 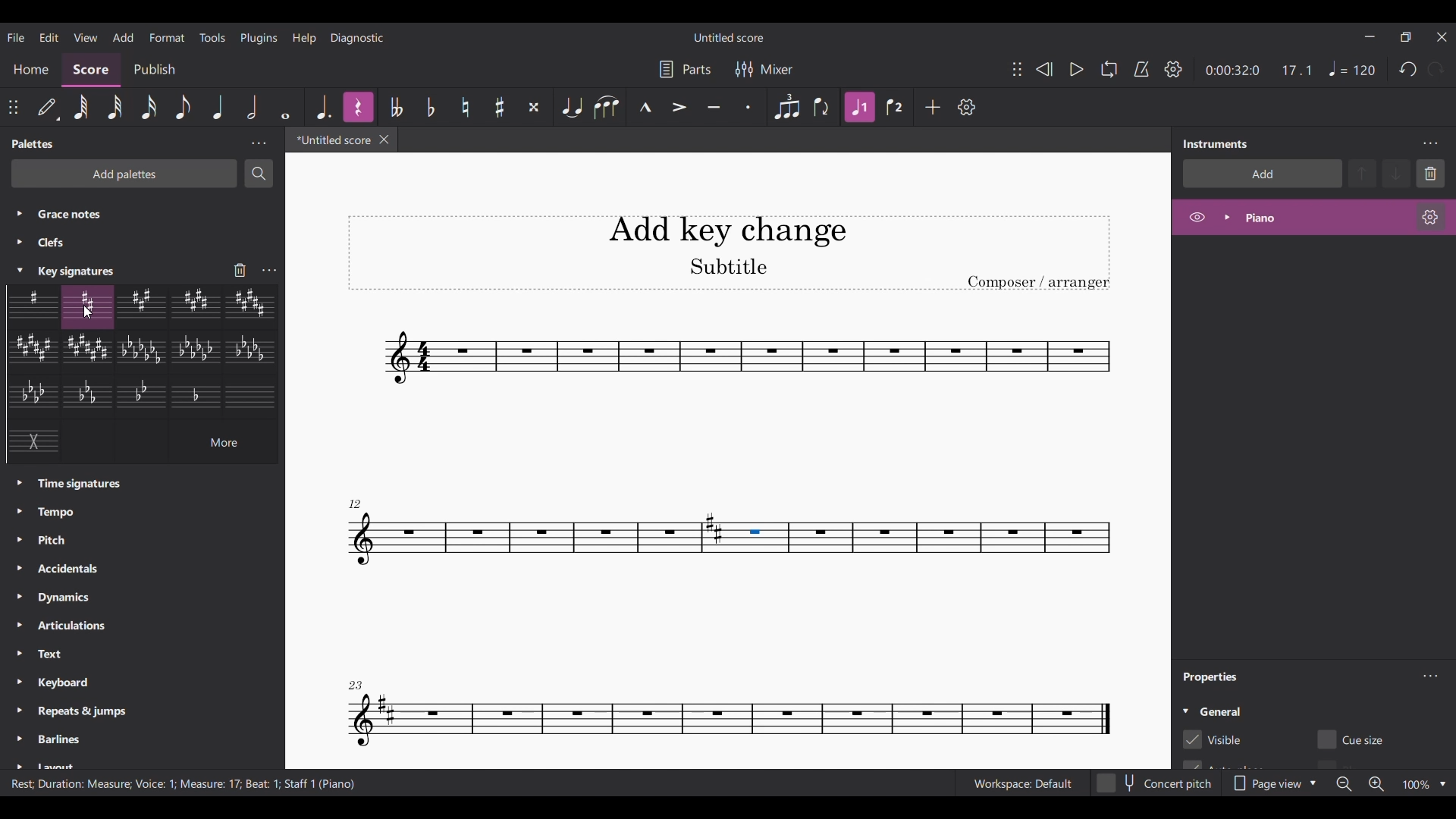 I want to click on Half note, so click(x=253, y=107).